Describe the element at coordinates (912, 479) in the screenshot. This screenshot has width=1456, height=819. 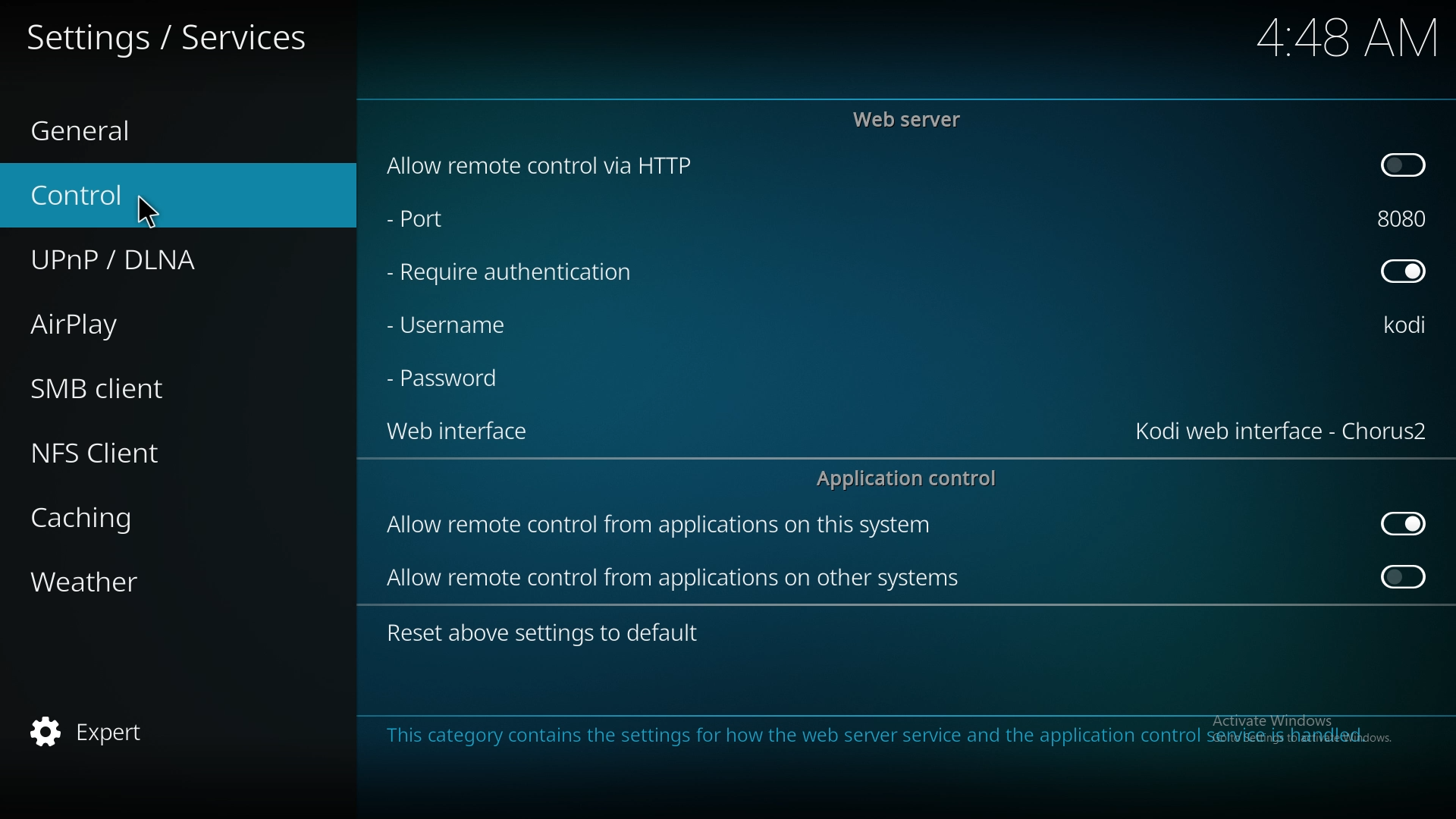
I see `application control` at that location.